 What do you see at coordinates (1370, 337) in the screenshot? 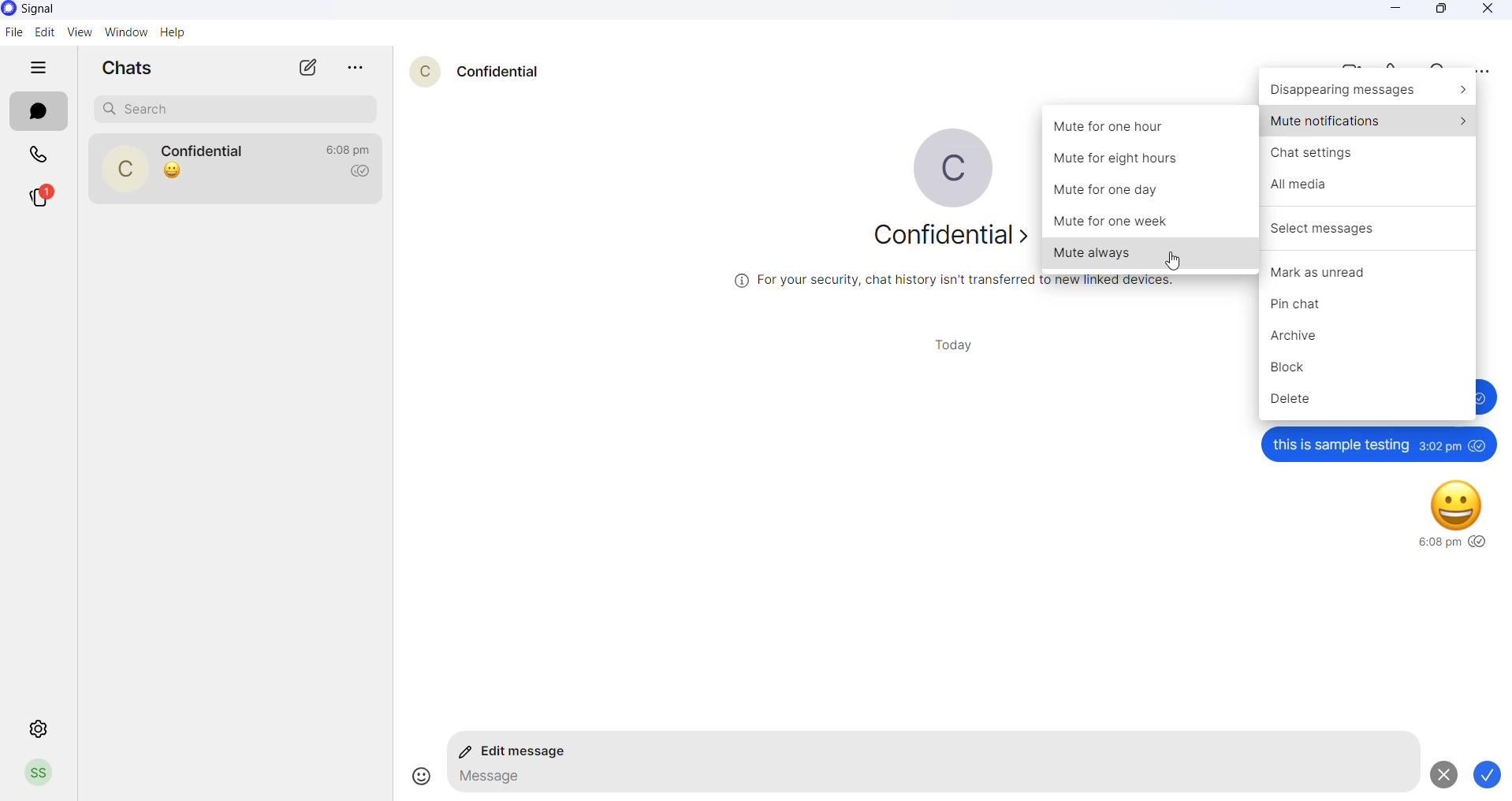
I see `archive` at bounding box center [1370, 337].